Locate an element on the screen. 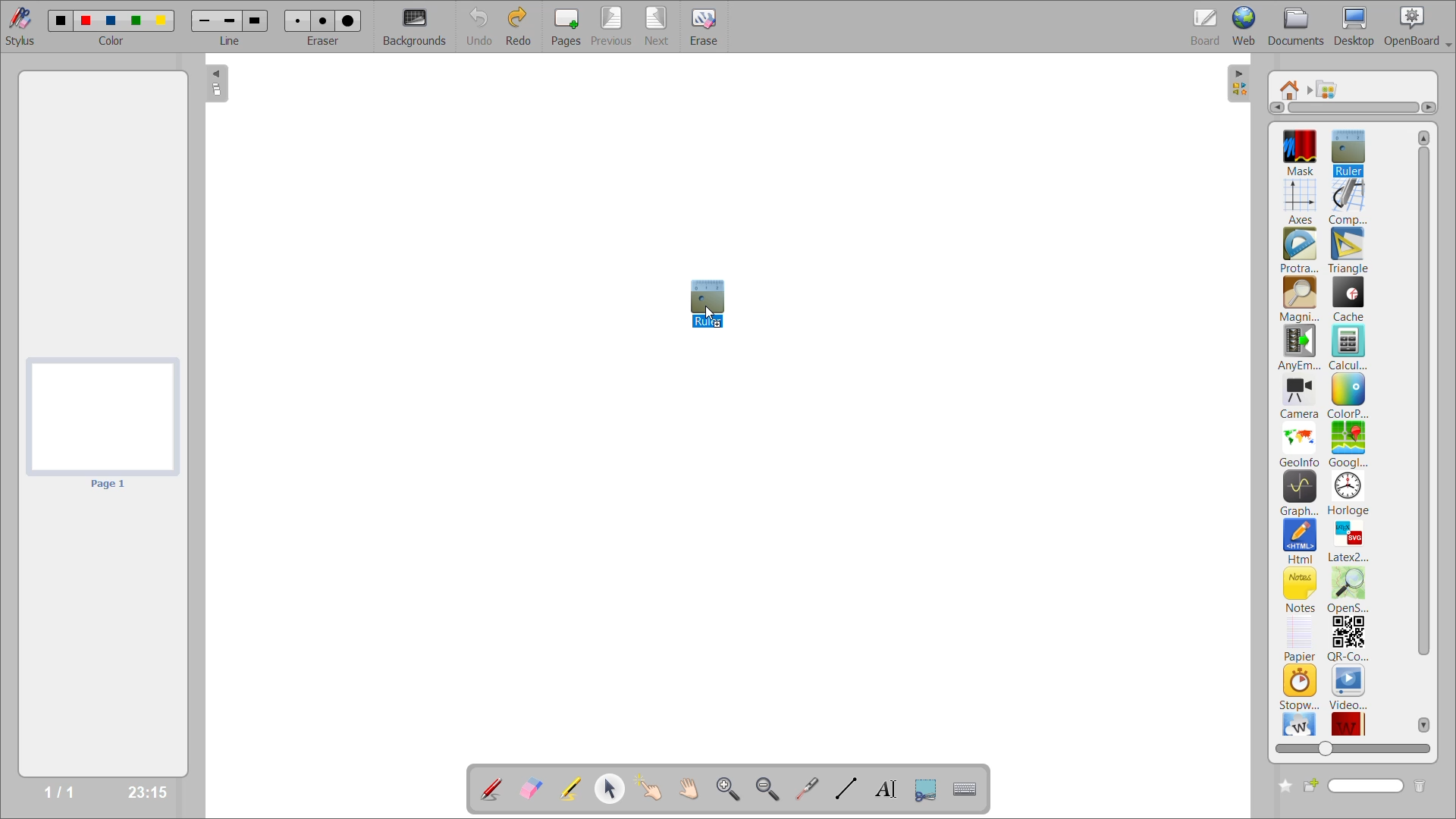 Image resolution: width=1456 pixels, height=819 pixels. color 1 is located at coordinates (57, 20).